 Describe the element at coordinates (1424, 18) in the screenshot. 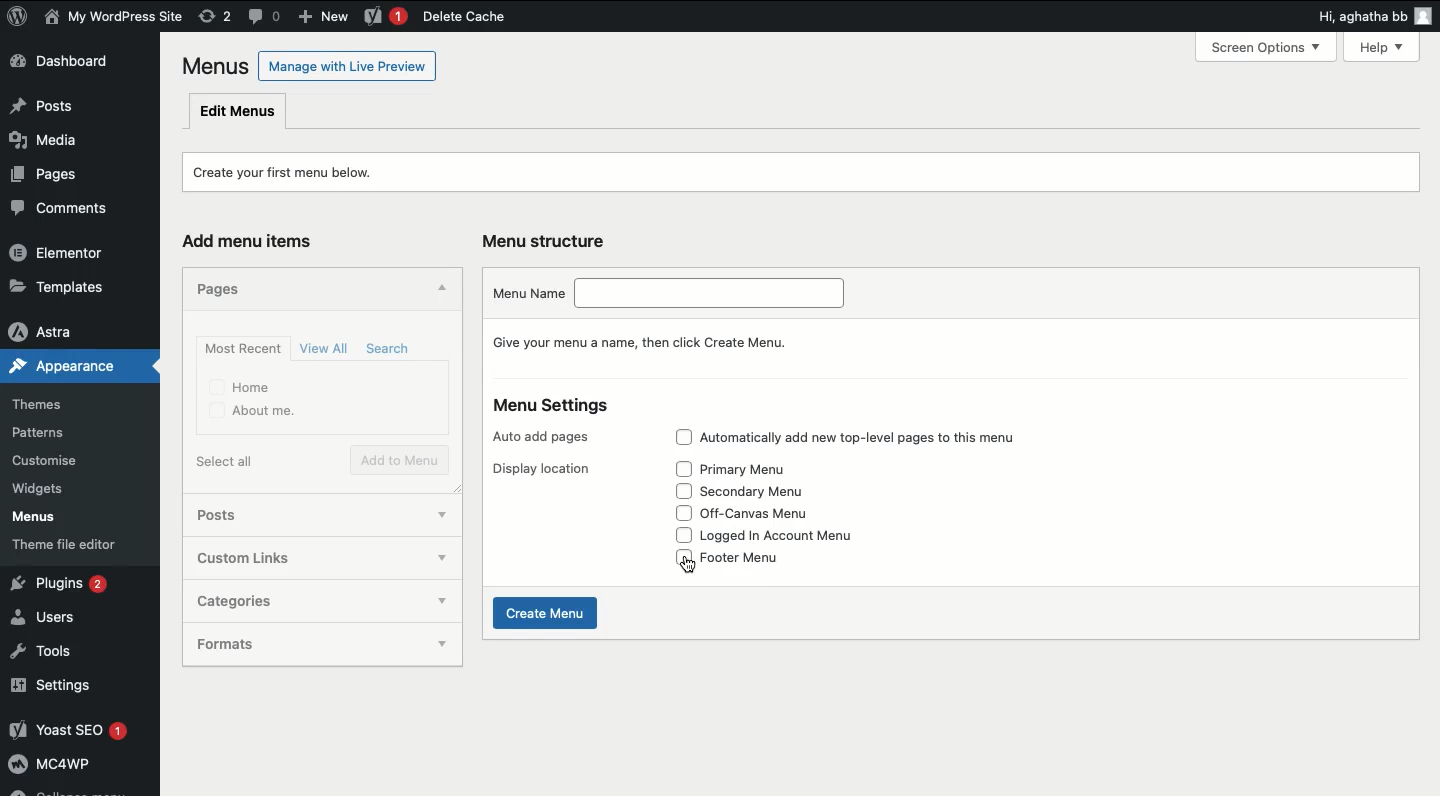

I see `user icon` at that location.